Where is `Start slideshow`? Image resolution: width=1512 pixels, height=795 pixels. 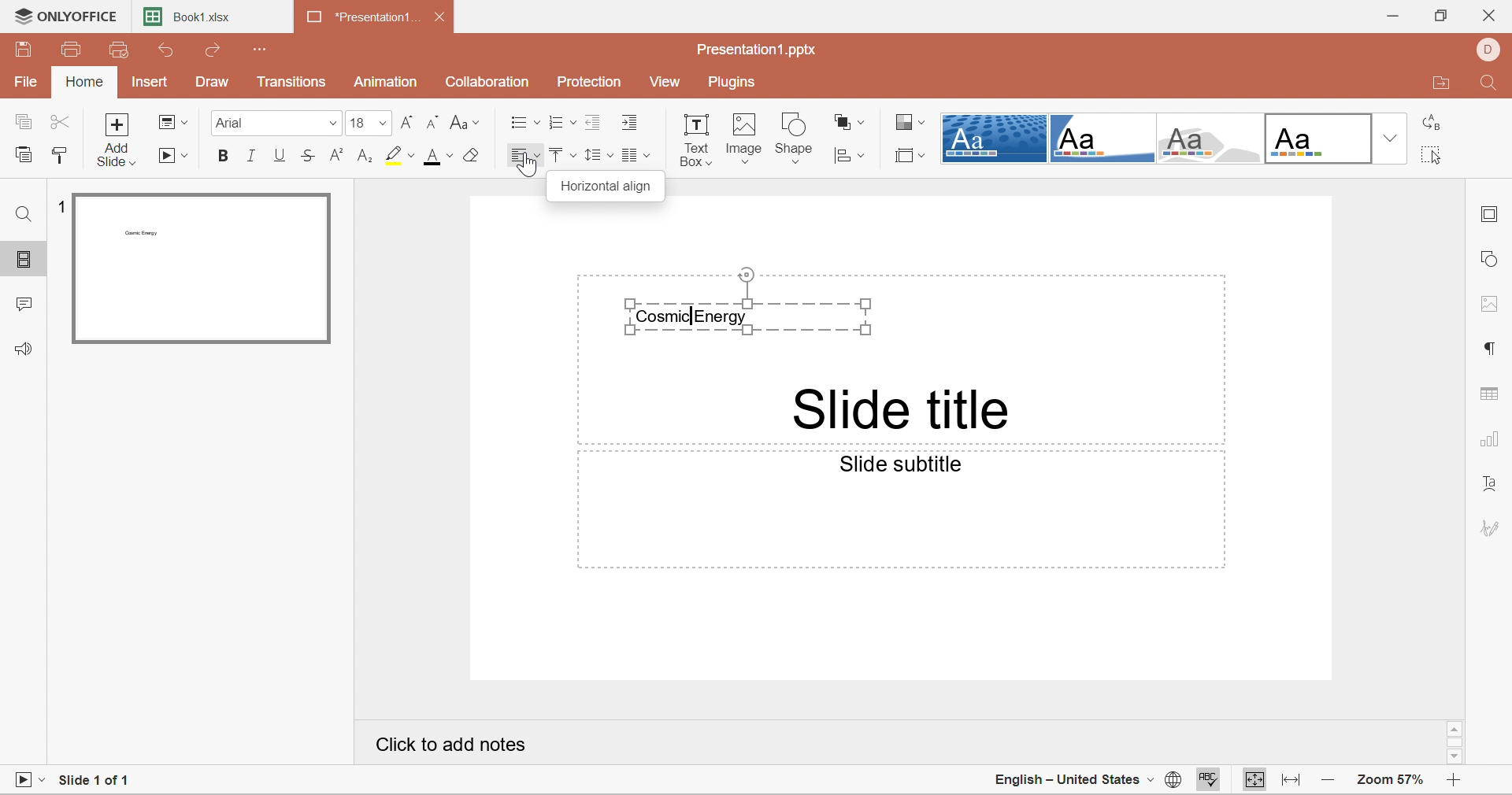 Start slideshow is located at coordinates (29, 778).